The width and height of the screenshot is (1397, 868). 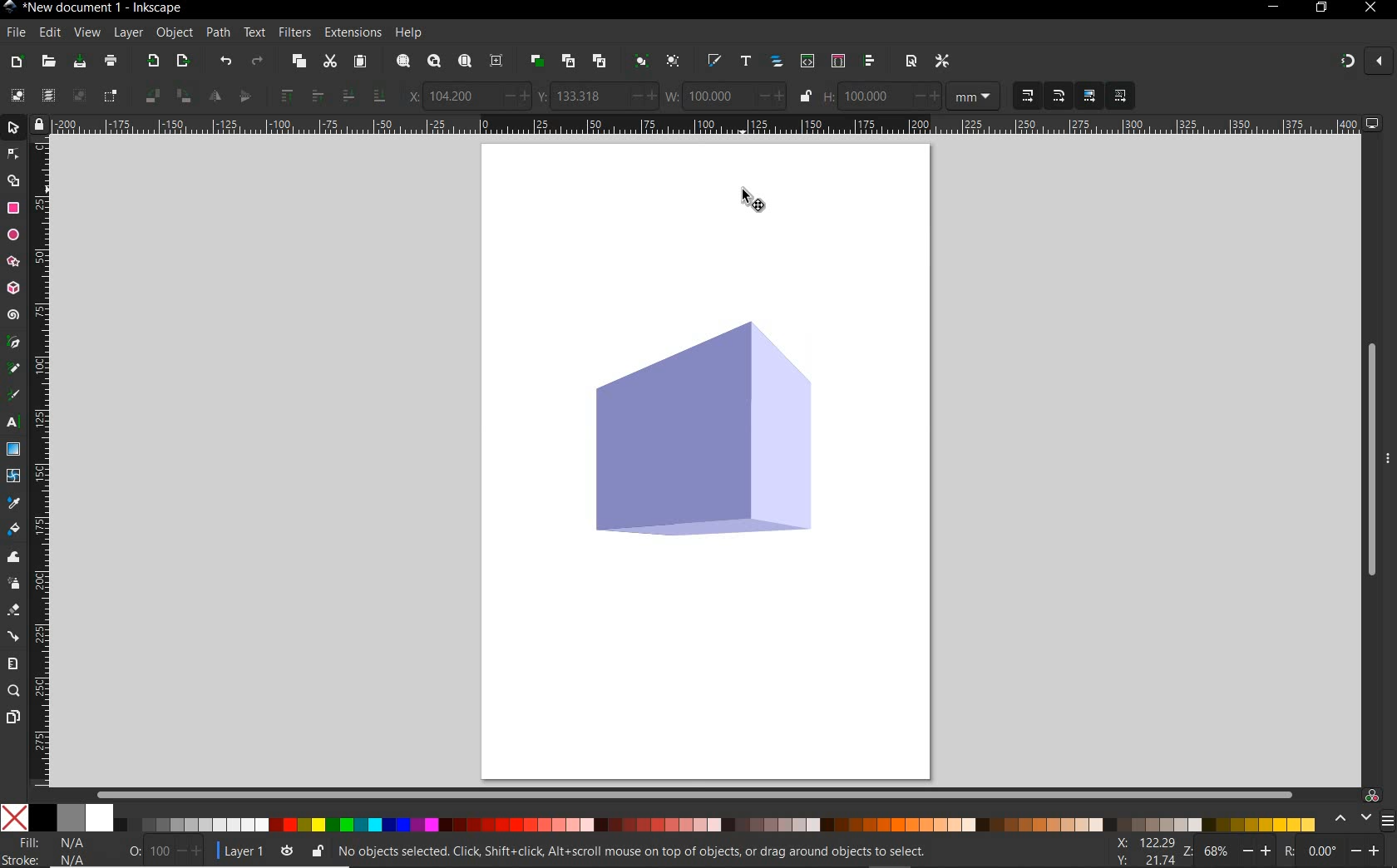 I want to click on computer icon, so click(x=1375, y=124).